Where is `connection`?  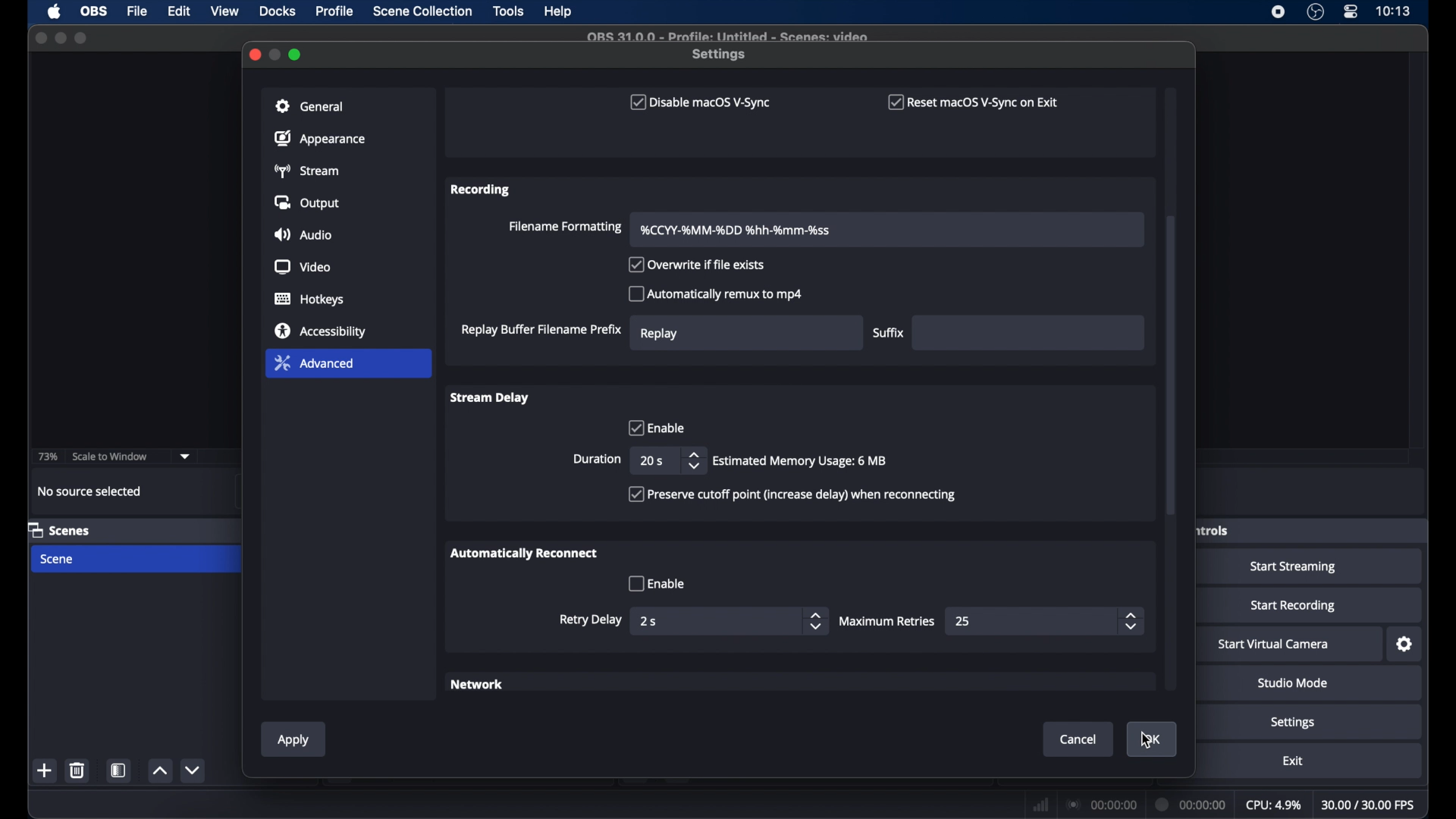 connection is located at coordinates (1100, 804).